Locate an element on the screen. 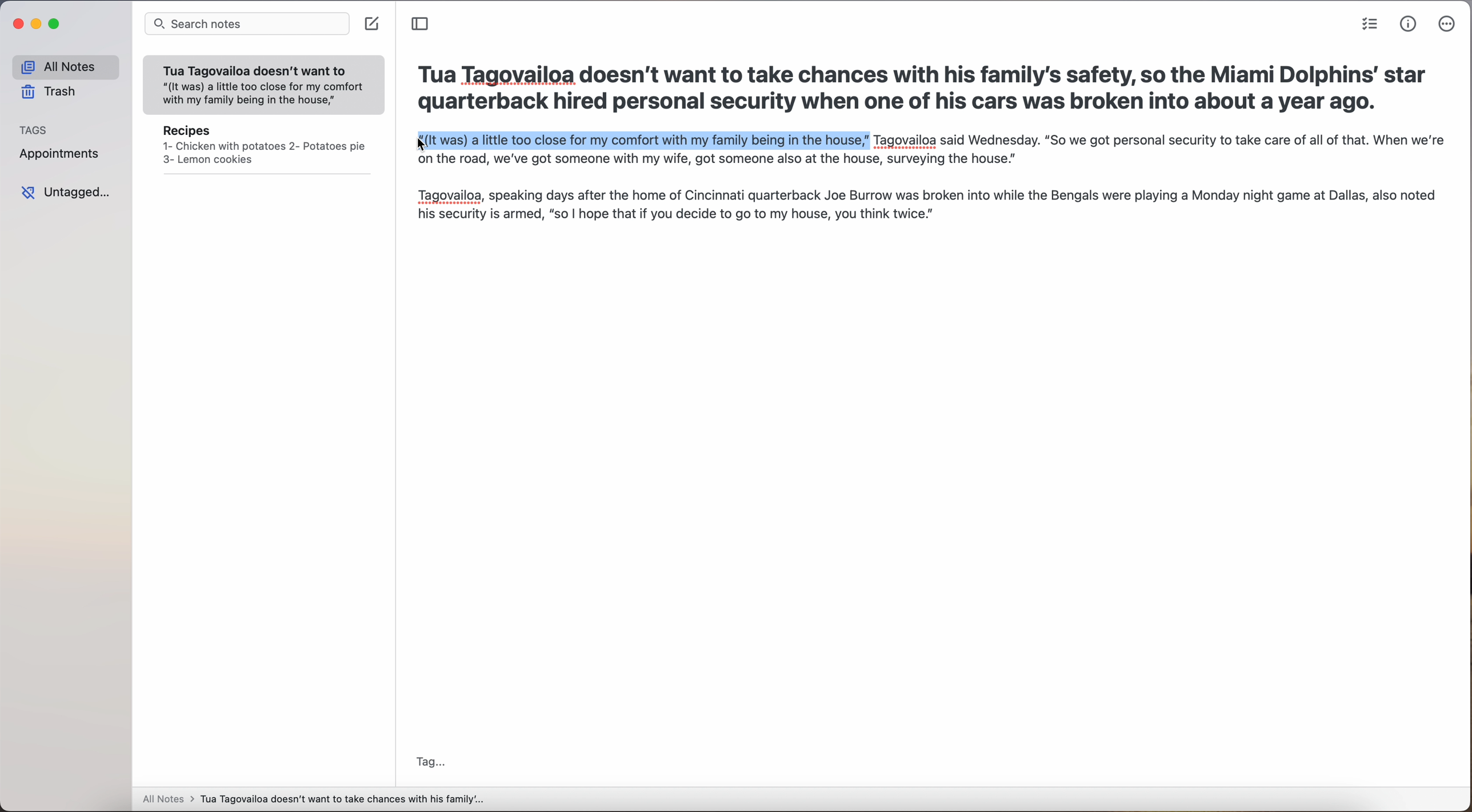  cursor is located at coordinates (414, 146).